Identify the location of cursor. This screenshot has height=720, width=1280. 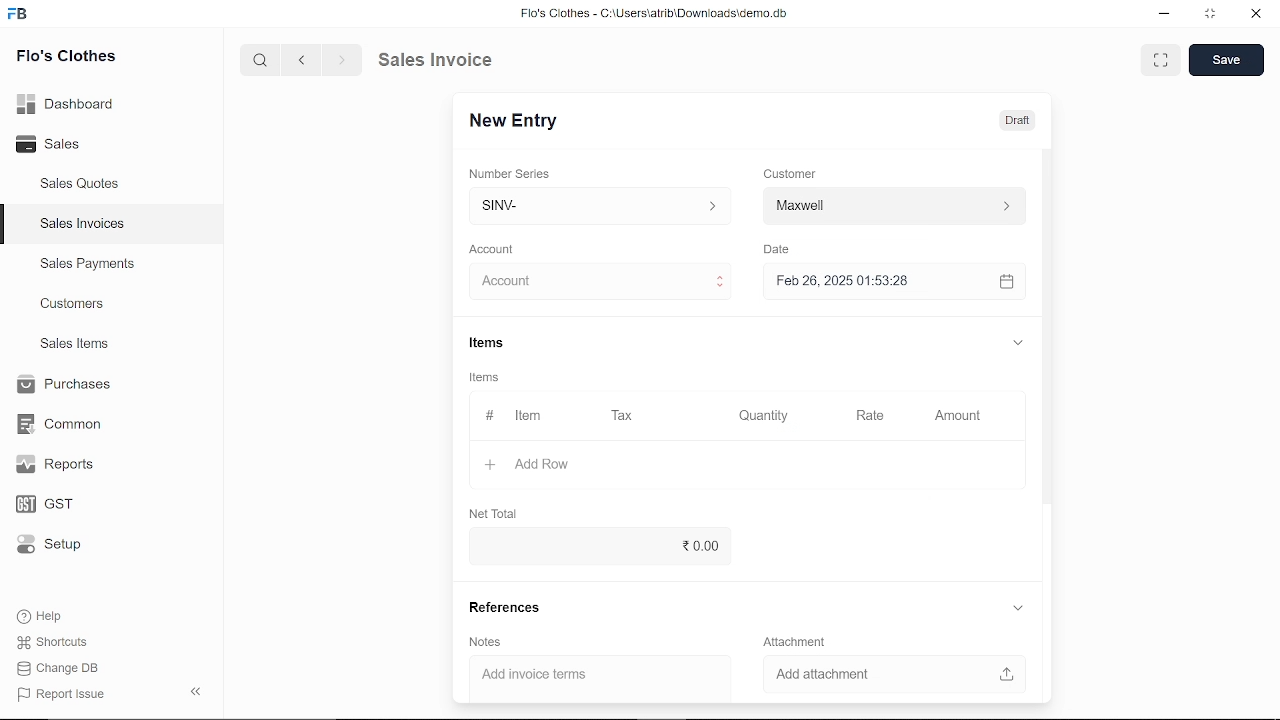
(507, 280).